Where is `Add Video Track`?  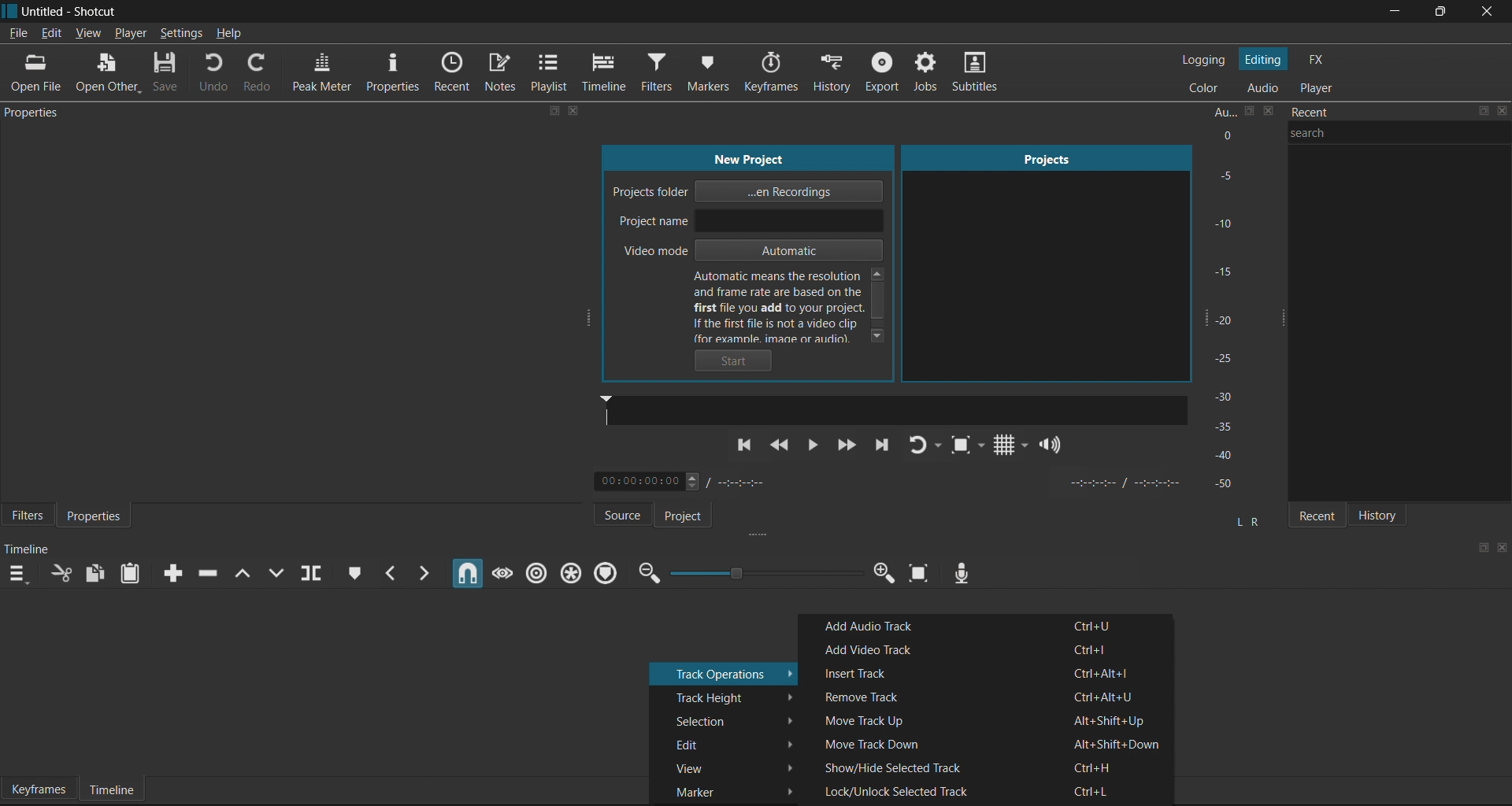 Add Video Track is located at coordinates (991, 649).